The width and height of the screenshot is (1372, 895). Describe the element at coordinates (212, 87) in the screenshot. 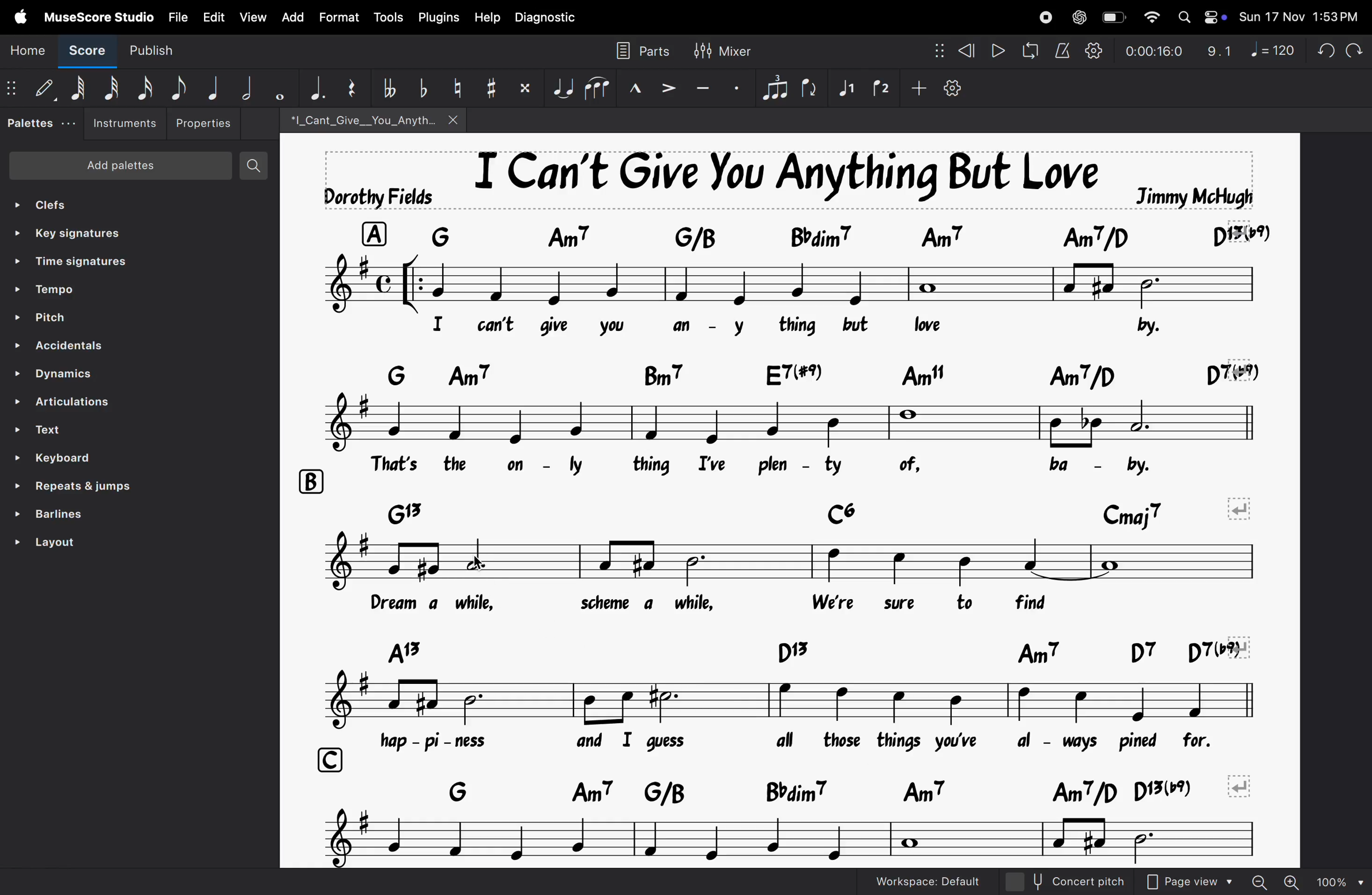

I see `Quarter note ` at that location.